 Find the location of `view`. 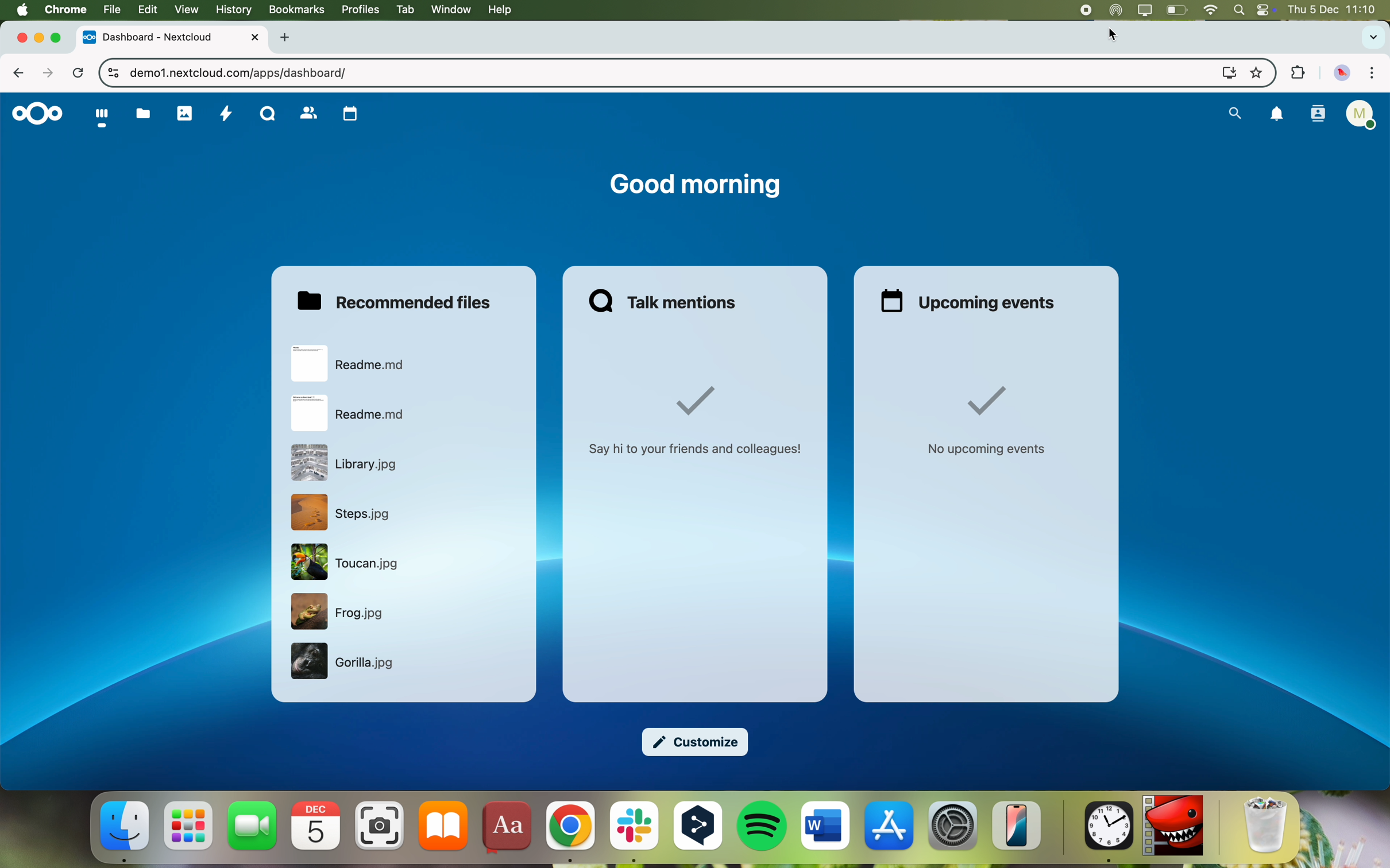

view is located at coordinates (186, 10).